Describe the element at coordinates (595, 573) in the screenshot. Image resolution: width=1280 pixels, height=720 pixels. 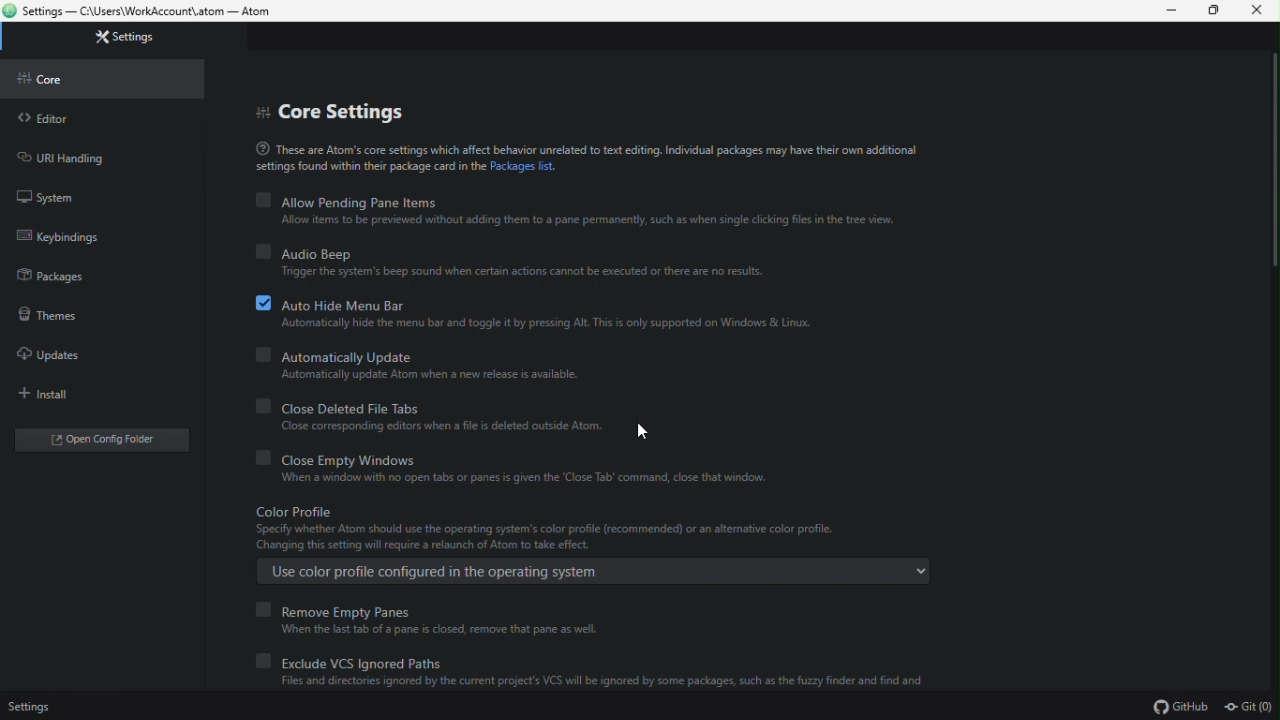
I see `Use color profile configured in the operating system` at that location.